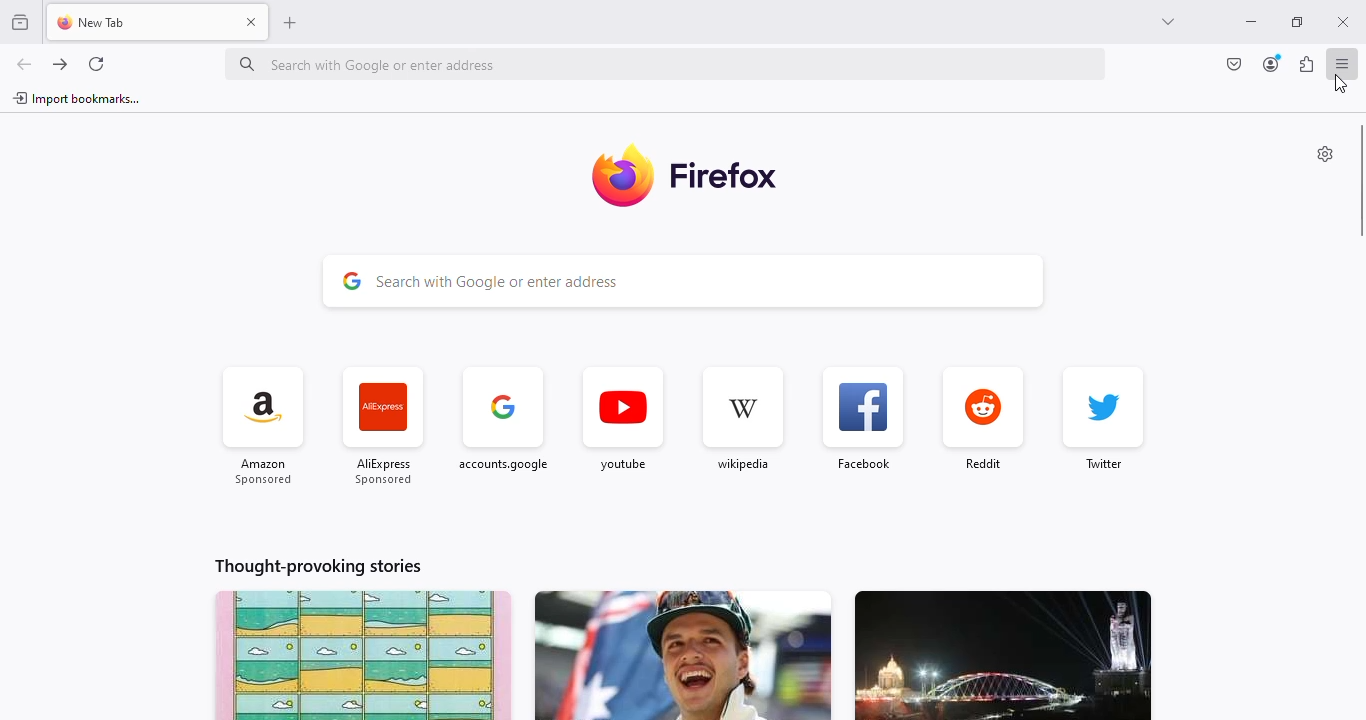 This screenshot has width=1366, height=720. Describe the element at coordinates (620, 178) in the screenshot. I see `logo` at that location.